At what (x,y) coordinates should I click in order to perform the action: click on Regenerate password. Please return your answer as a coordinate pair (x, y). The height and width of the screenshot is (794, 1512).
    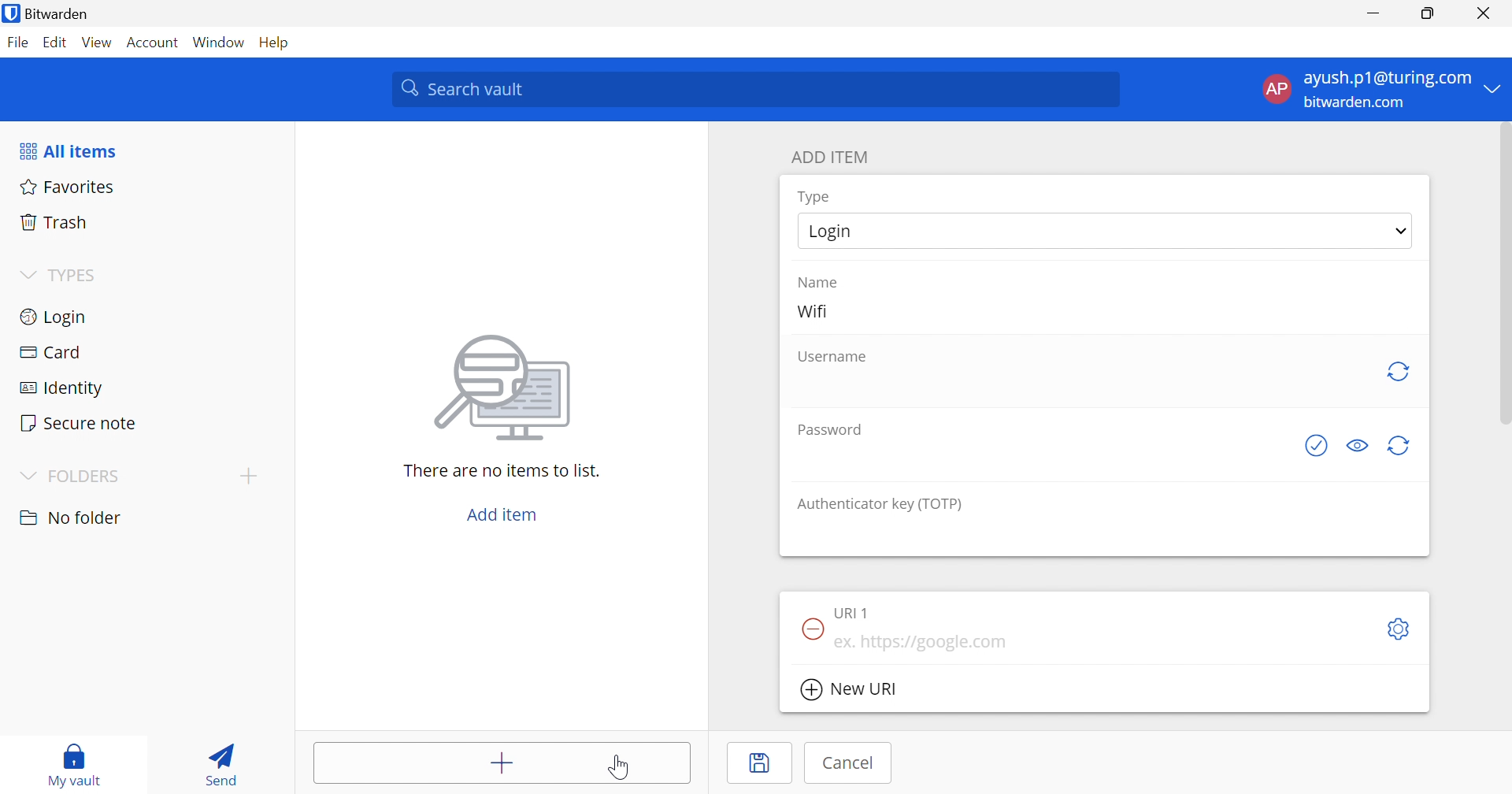
    Looking at the image, I should click on (1400, 447).